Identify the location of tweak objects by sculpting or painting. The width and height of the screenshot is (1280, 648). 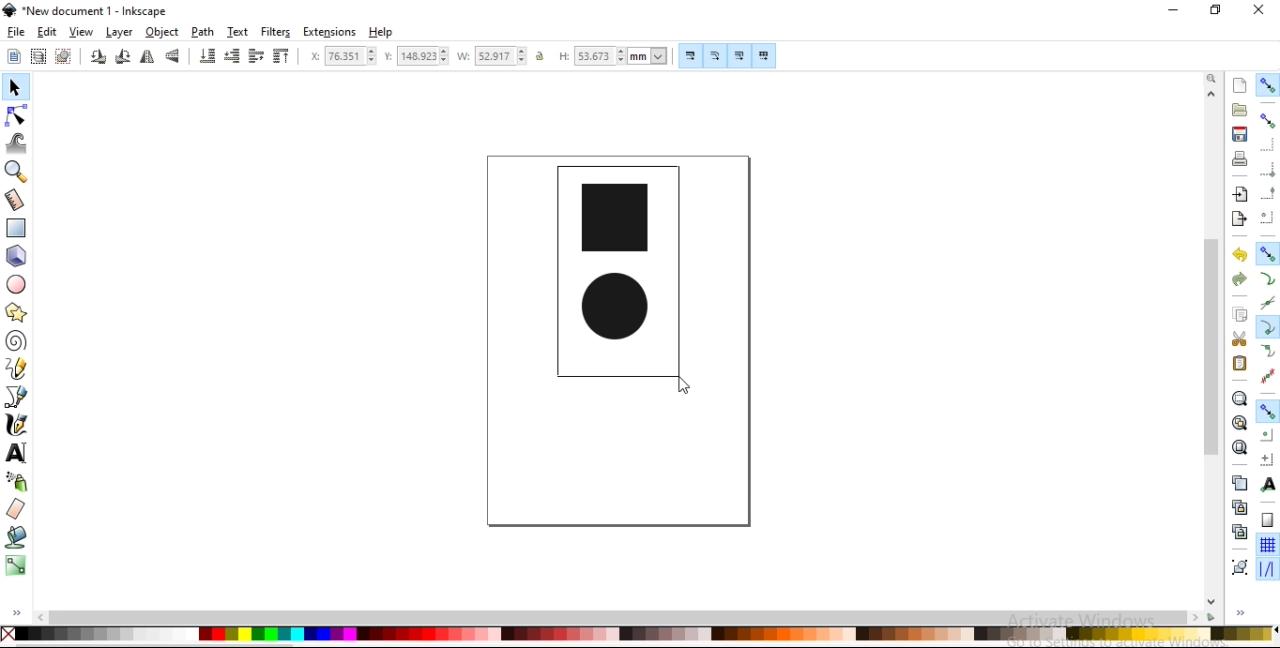
(17, 145).